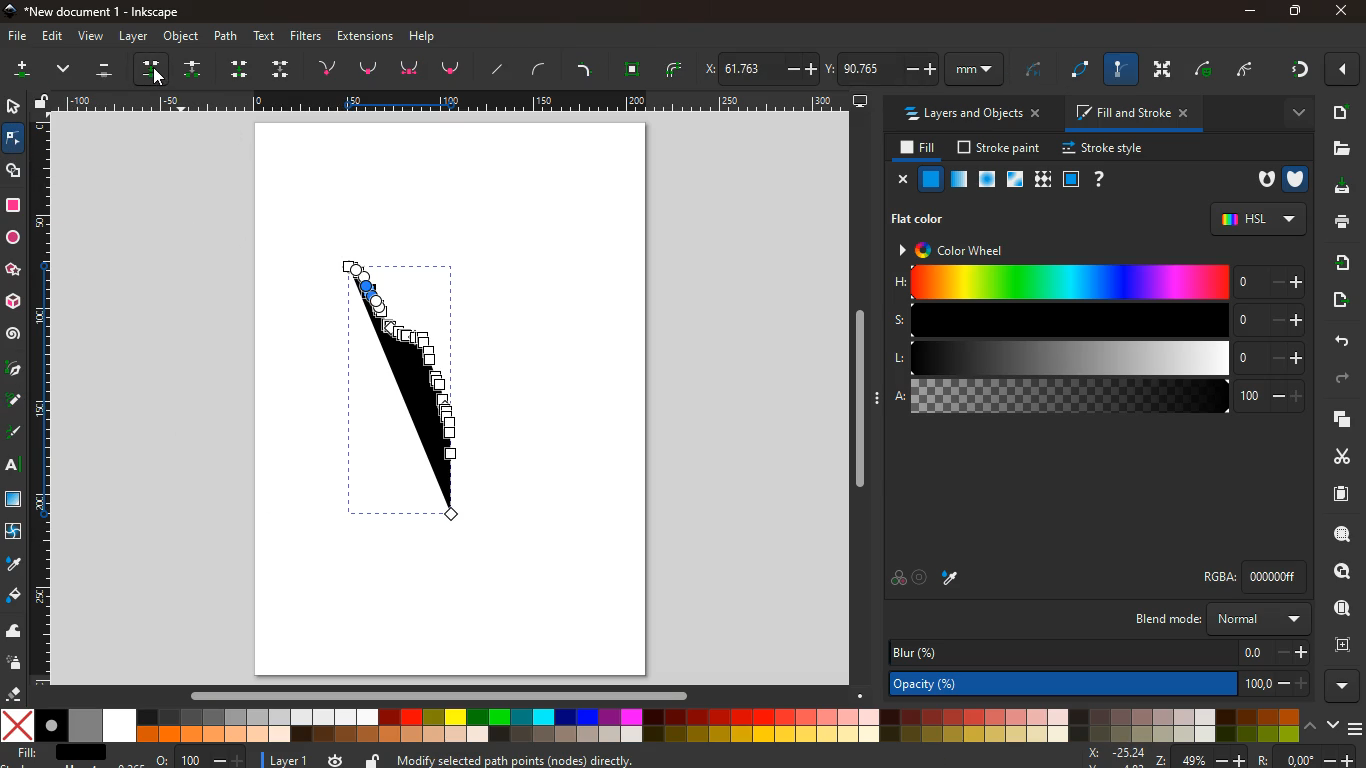  What do you see at coordinates (1339, 189) in the screenshot?
I see `download` at bounding box center [1339, 189].